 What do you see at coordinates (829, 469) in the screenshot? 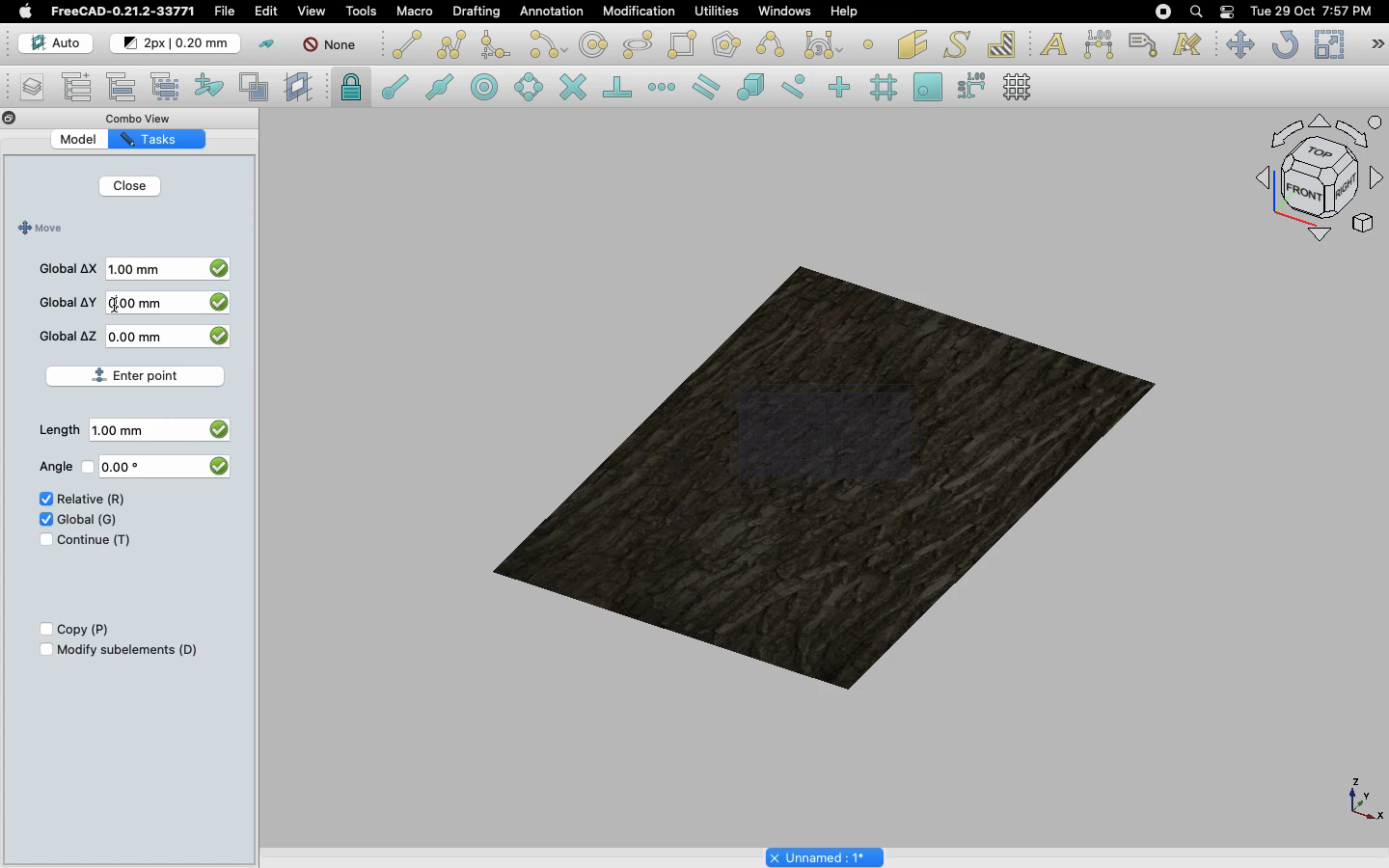
I see `Object selected` at bounding box center [829, 469].